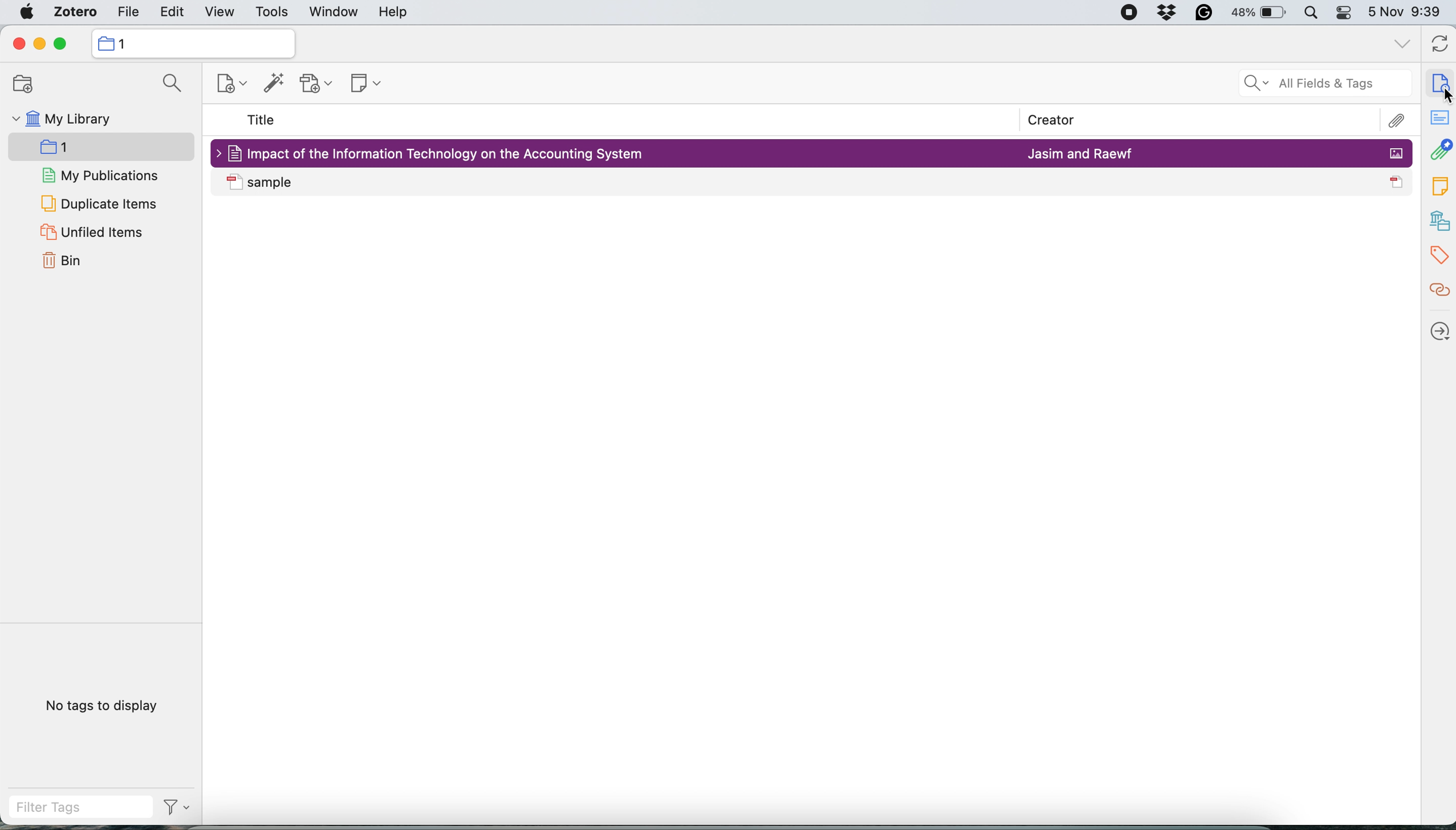 This screenshot has height=830, width=1456. Describe the element at coordinates (1321, 83) in the screenshot. I see `all fields and tags` at that location.